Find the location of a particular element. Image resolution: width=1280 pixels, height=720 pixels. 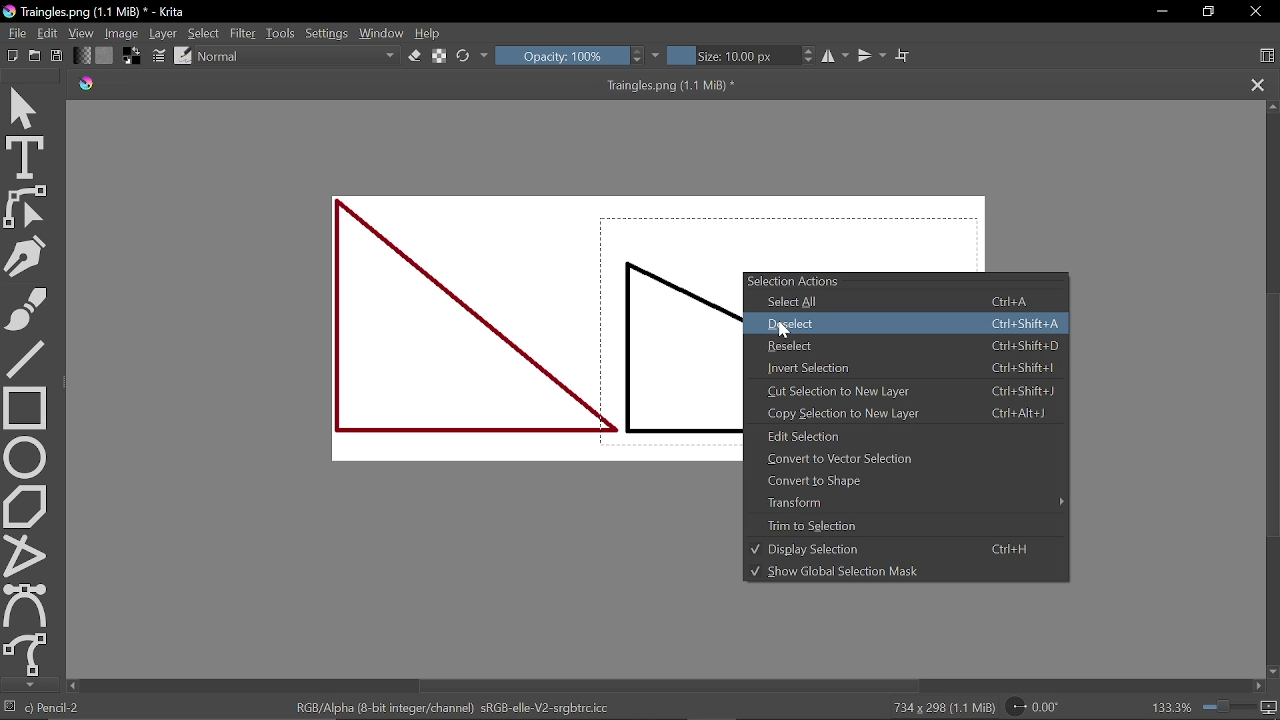

Display selection is located at coordinates (902, 549).